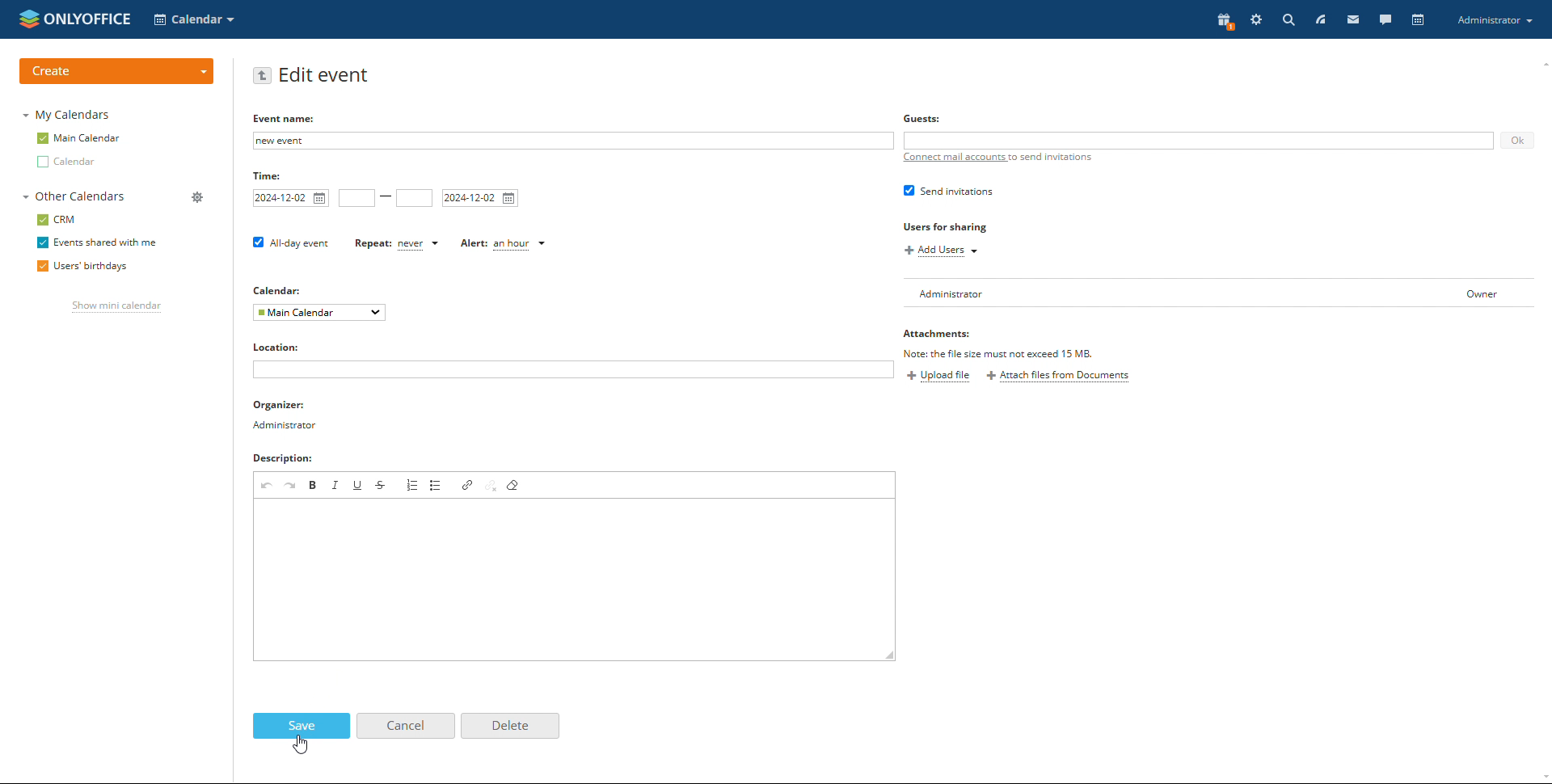 This screenshot has width=1552, height=784. Describe the element at coordinates (197, 197) in the screenshot. I see `manage` at that location.